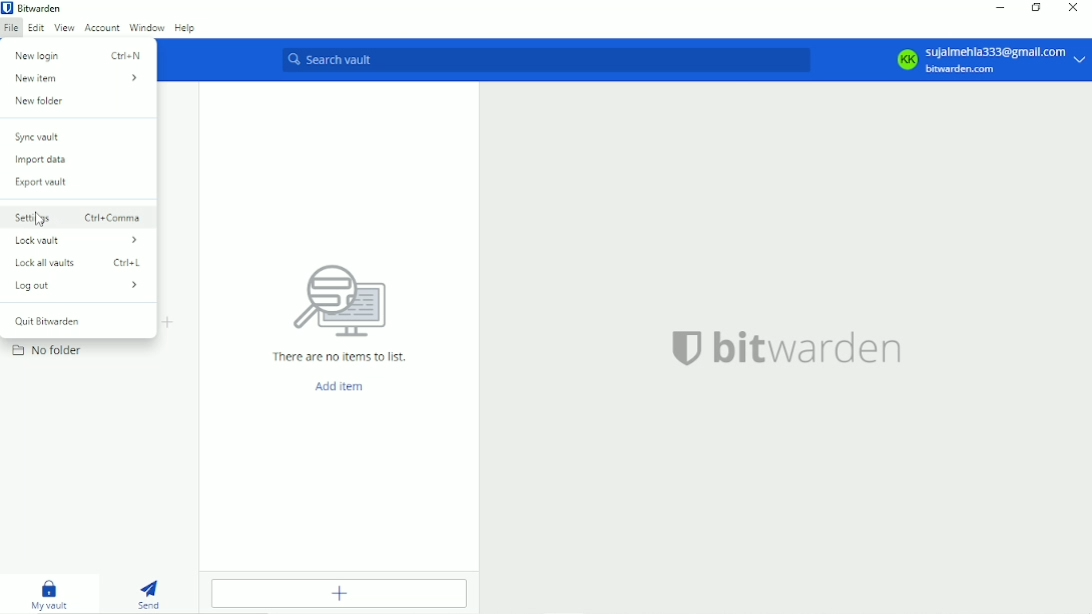 This screenshot has width=1092, height=614. Describe the element at coordinates (147, 27) in the screenshot. I see `Window` at that location.